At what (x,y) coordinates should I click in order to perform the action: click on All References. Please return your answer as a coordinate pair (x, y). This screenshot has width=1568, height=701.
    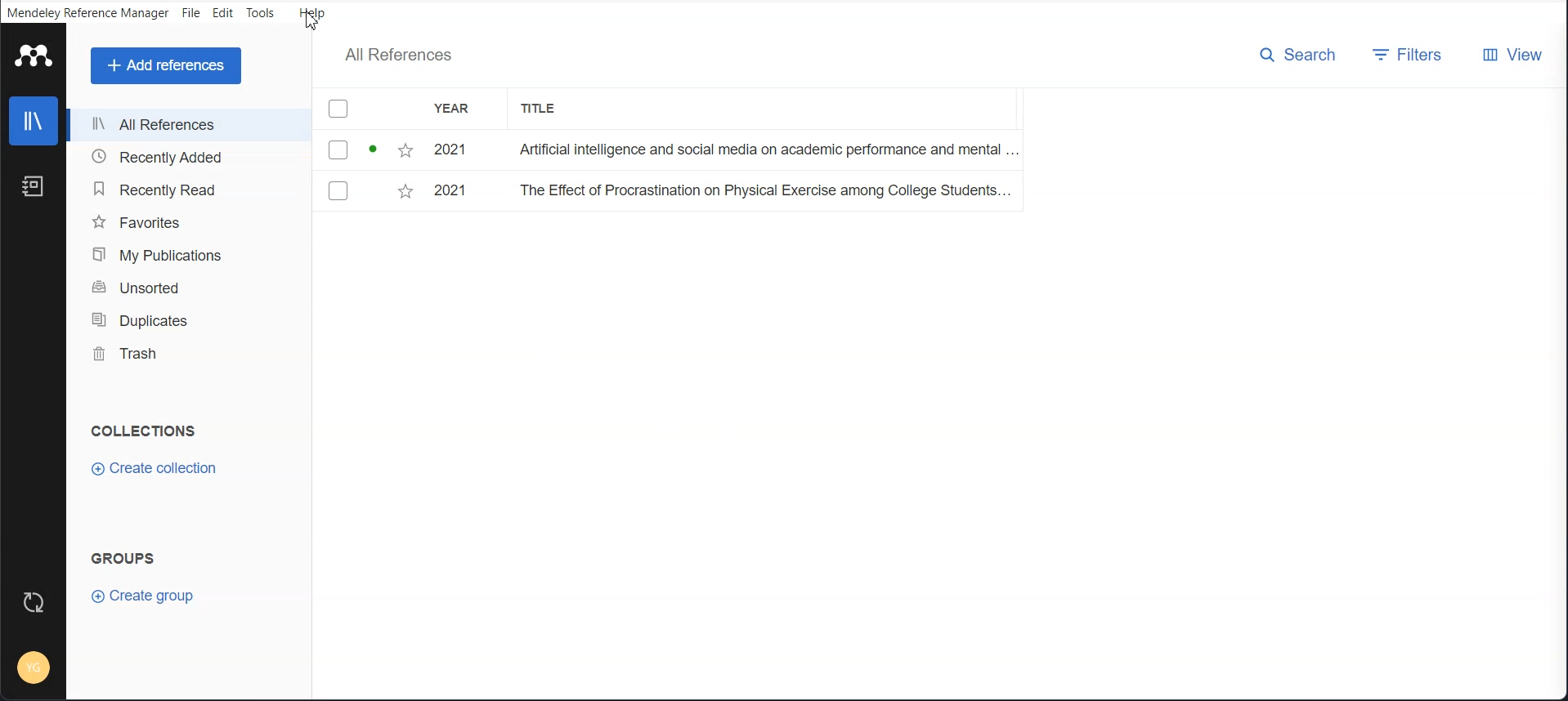
    Looking at the image, I should click on (181, 125).